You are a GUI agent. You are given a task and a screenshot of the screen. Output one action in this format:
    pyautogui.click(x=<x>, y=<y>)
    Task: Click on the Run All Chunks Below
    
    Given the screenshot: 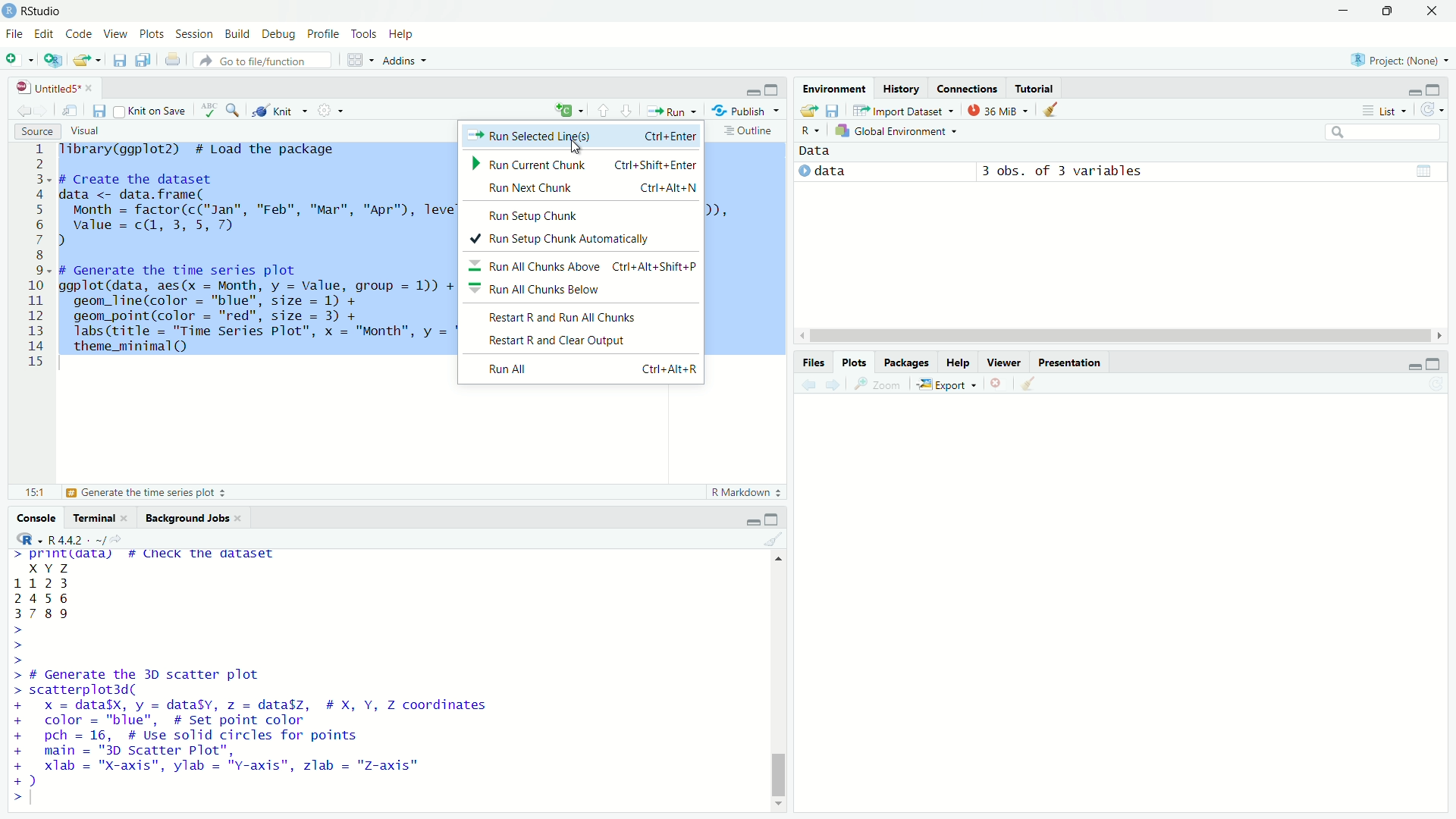 What is the action you would take?
    pyautogui.click(x=582, y=290)
    